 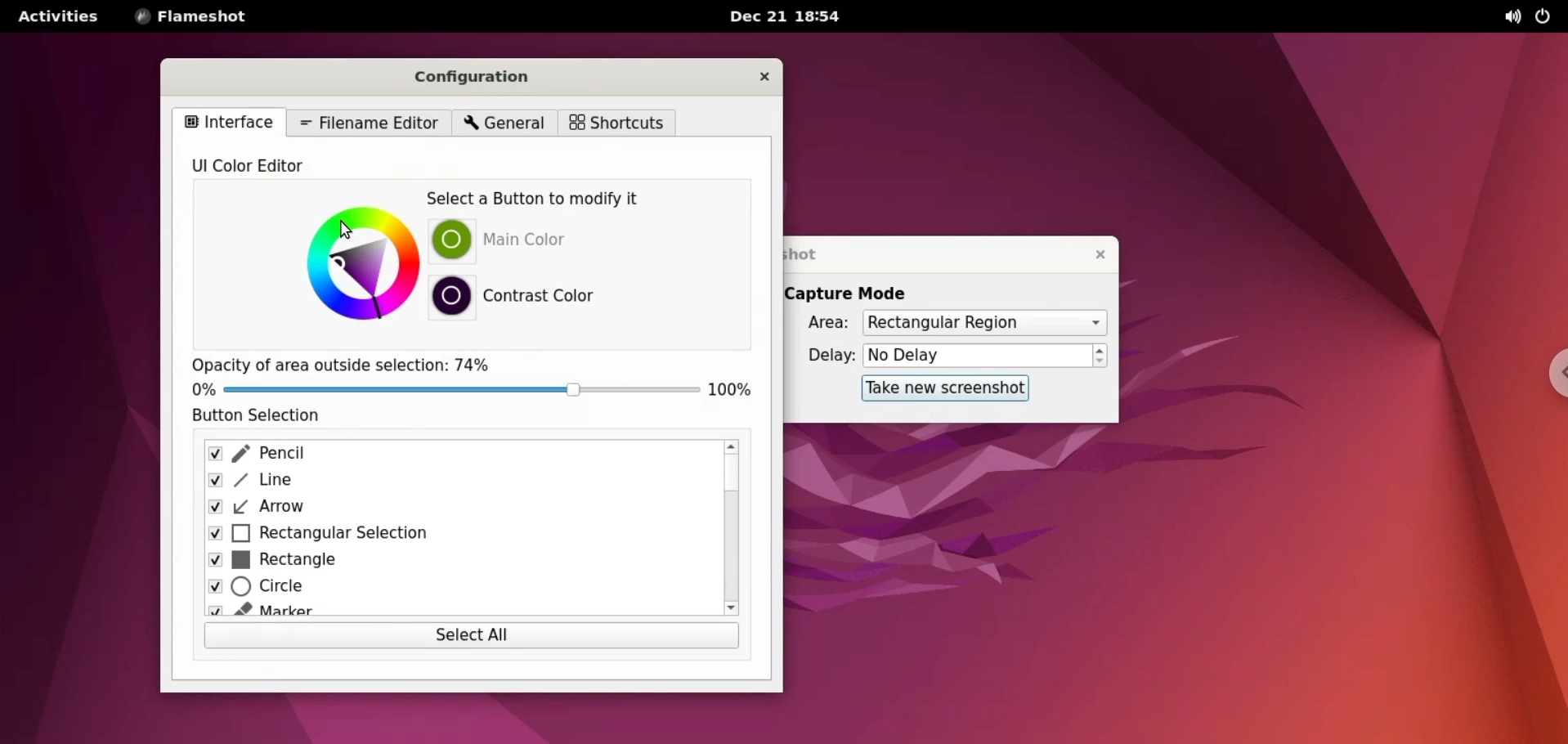 What do you see at coordinates (452, 482) in the screenshot?
I see `line checkbox` at bounding box center [452, 482].